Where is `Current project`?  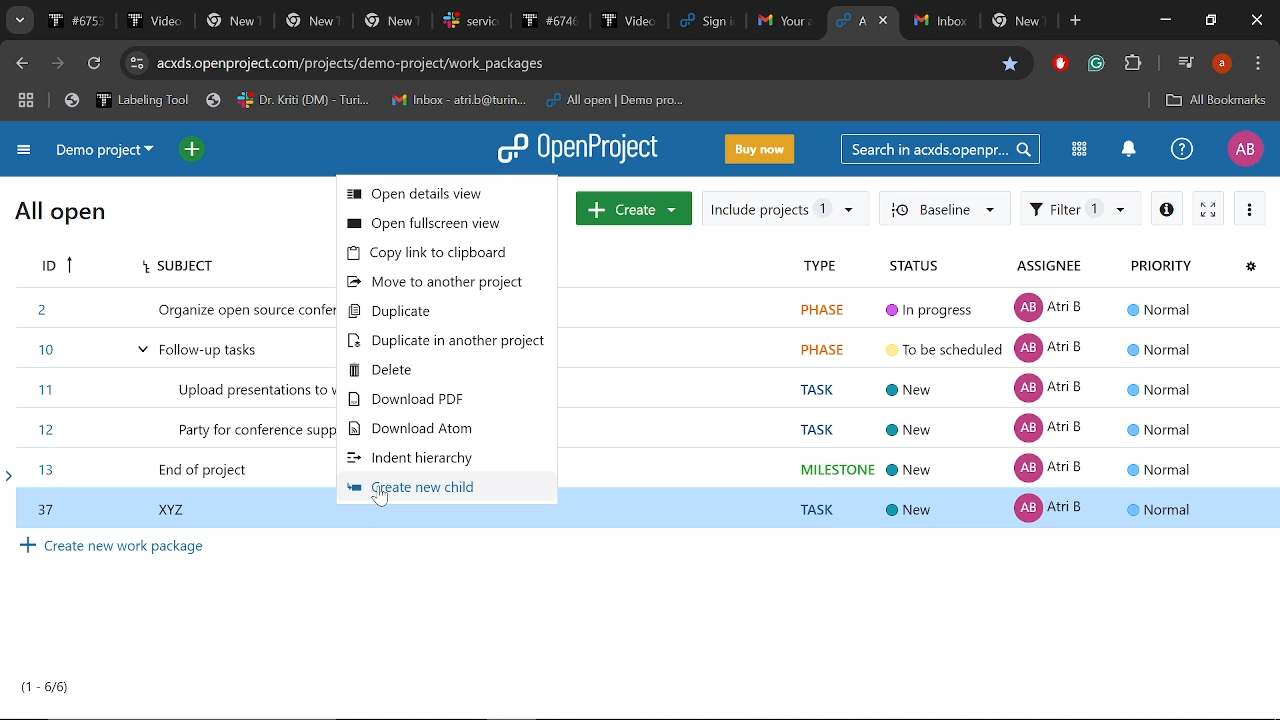
Current project is located at coordinates (110, 151).